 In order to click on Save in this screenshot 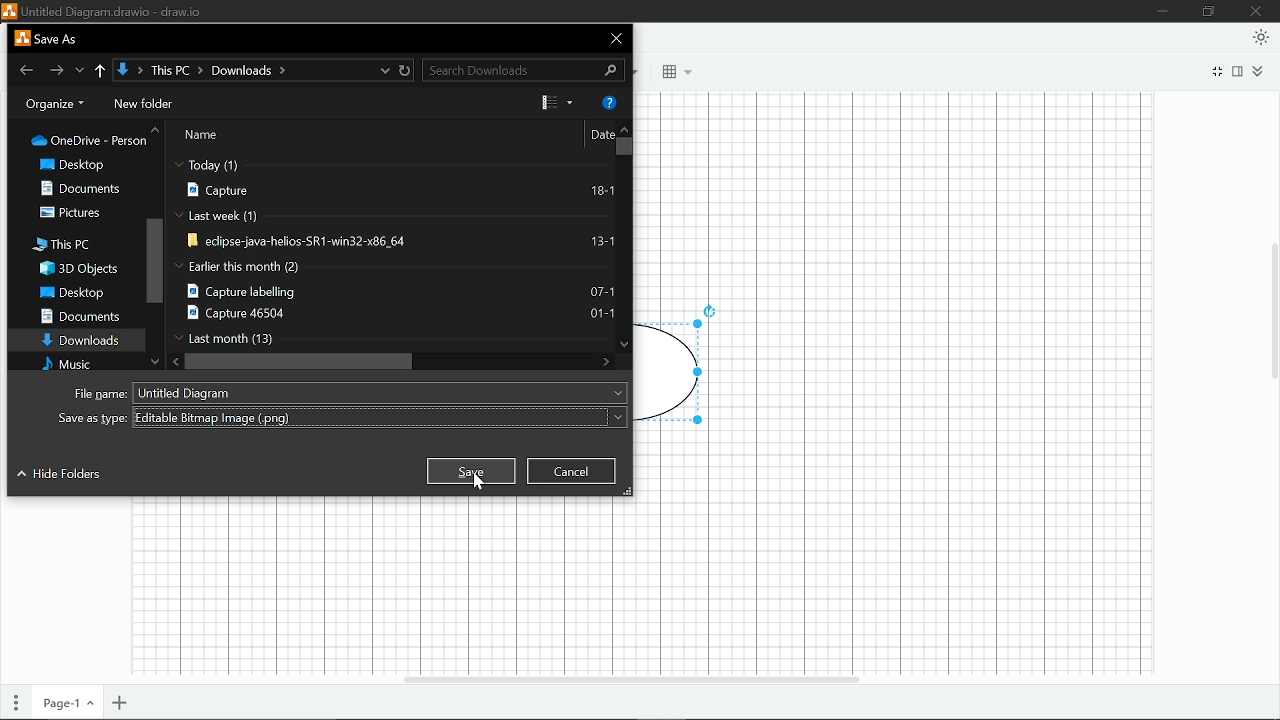, I will do `click(470, 471)`.